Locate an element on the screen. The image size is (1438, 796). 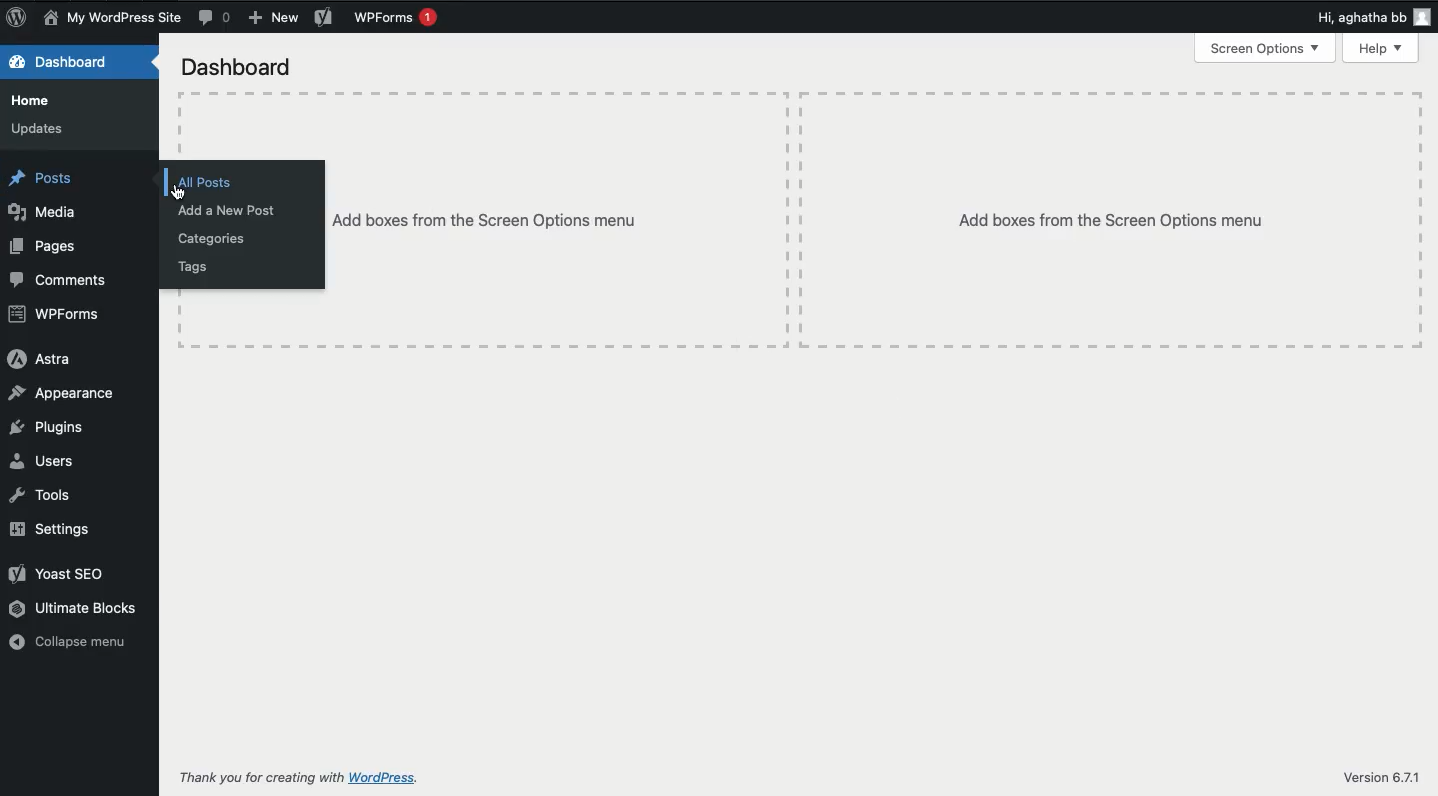
Collapse menu is located at coordinates (67, 641).